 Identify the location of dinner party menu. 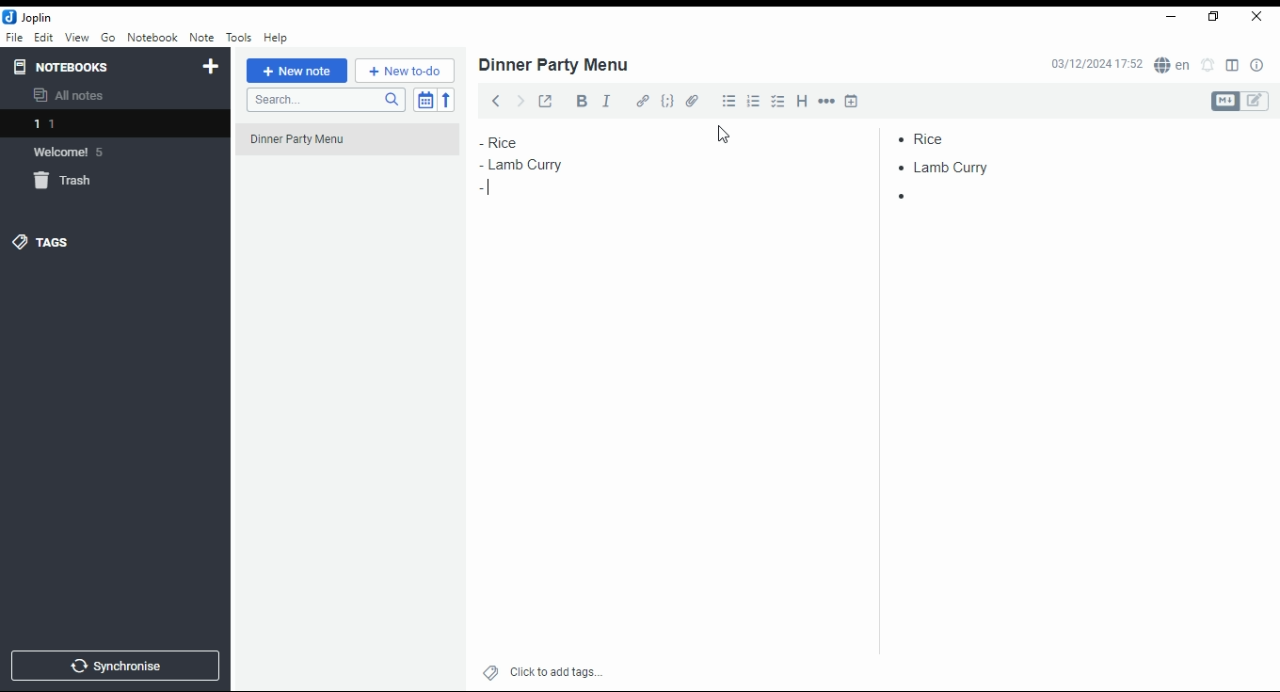
(555, 65).